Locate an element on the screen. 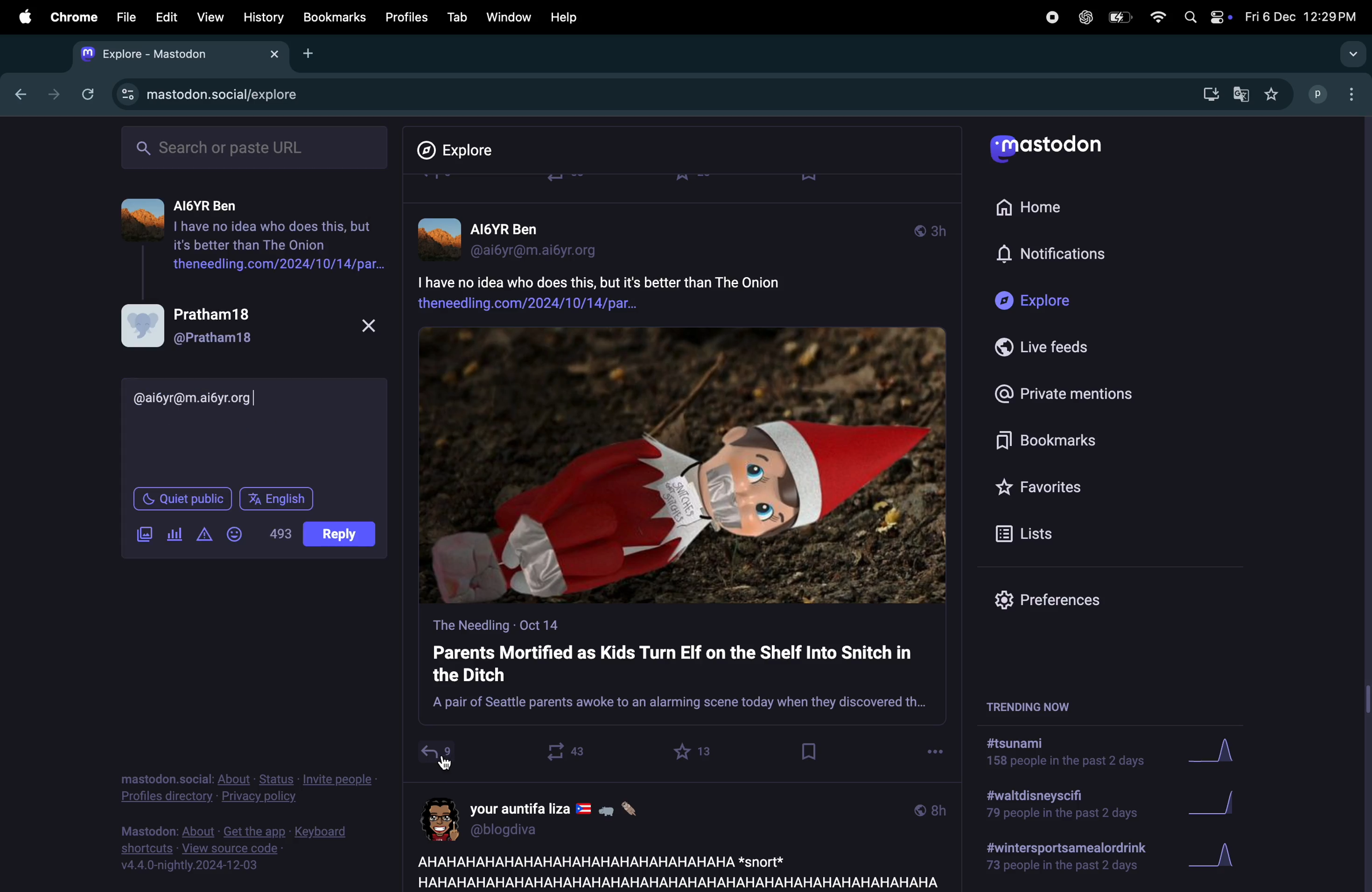 The width and height of the screenshot is (1372, 892). Explore is located at coordinates (464, 150).